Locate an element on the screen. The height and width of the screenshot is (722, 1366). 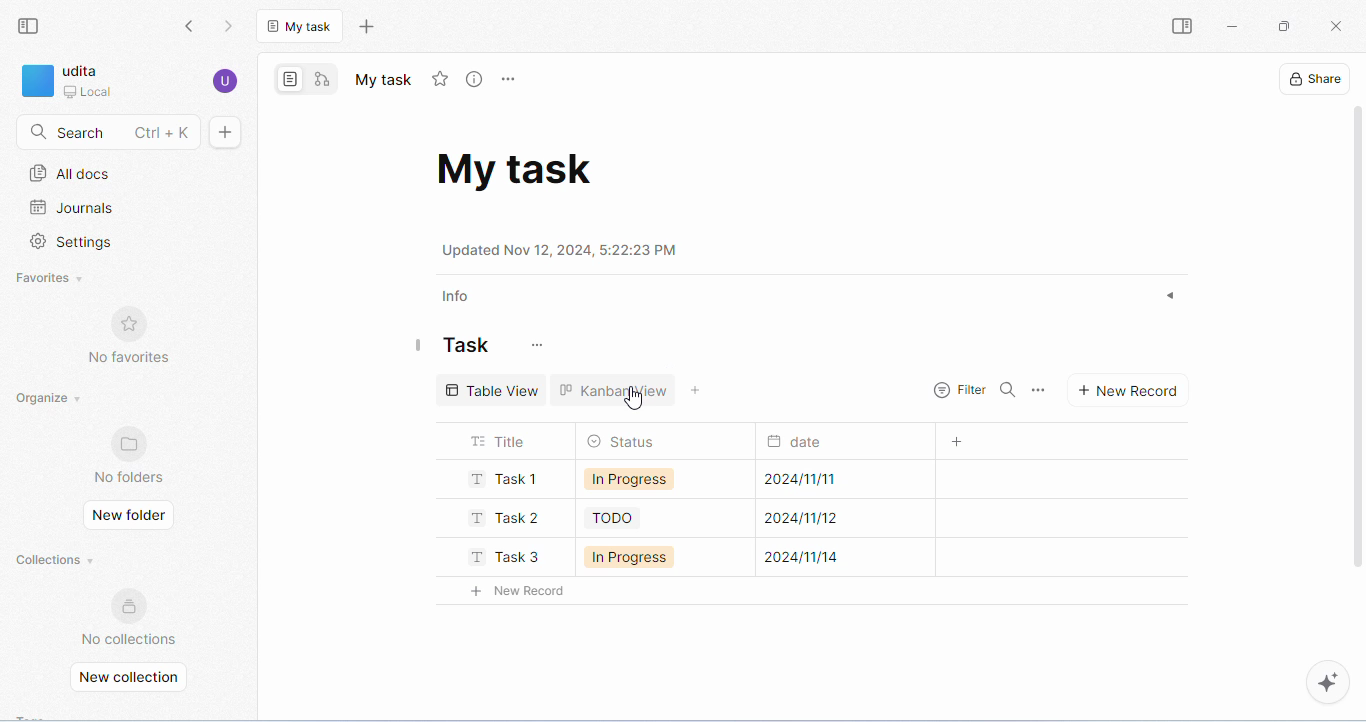
new record is located at coordinates (1137, 393).